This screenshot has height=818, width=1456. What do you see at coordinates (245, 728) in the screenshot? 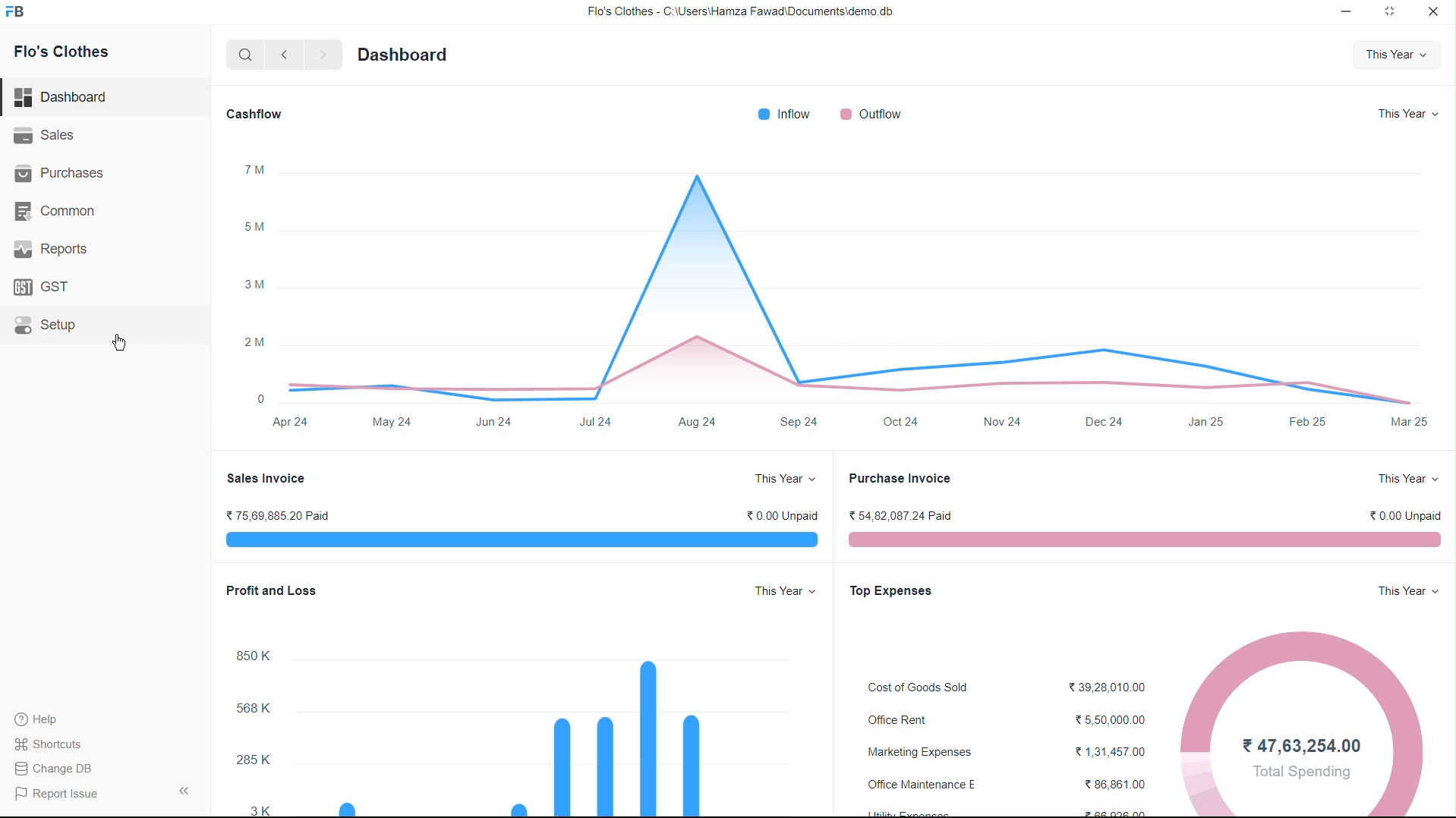
I see `X axis` at bounding box center [245, 728].